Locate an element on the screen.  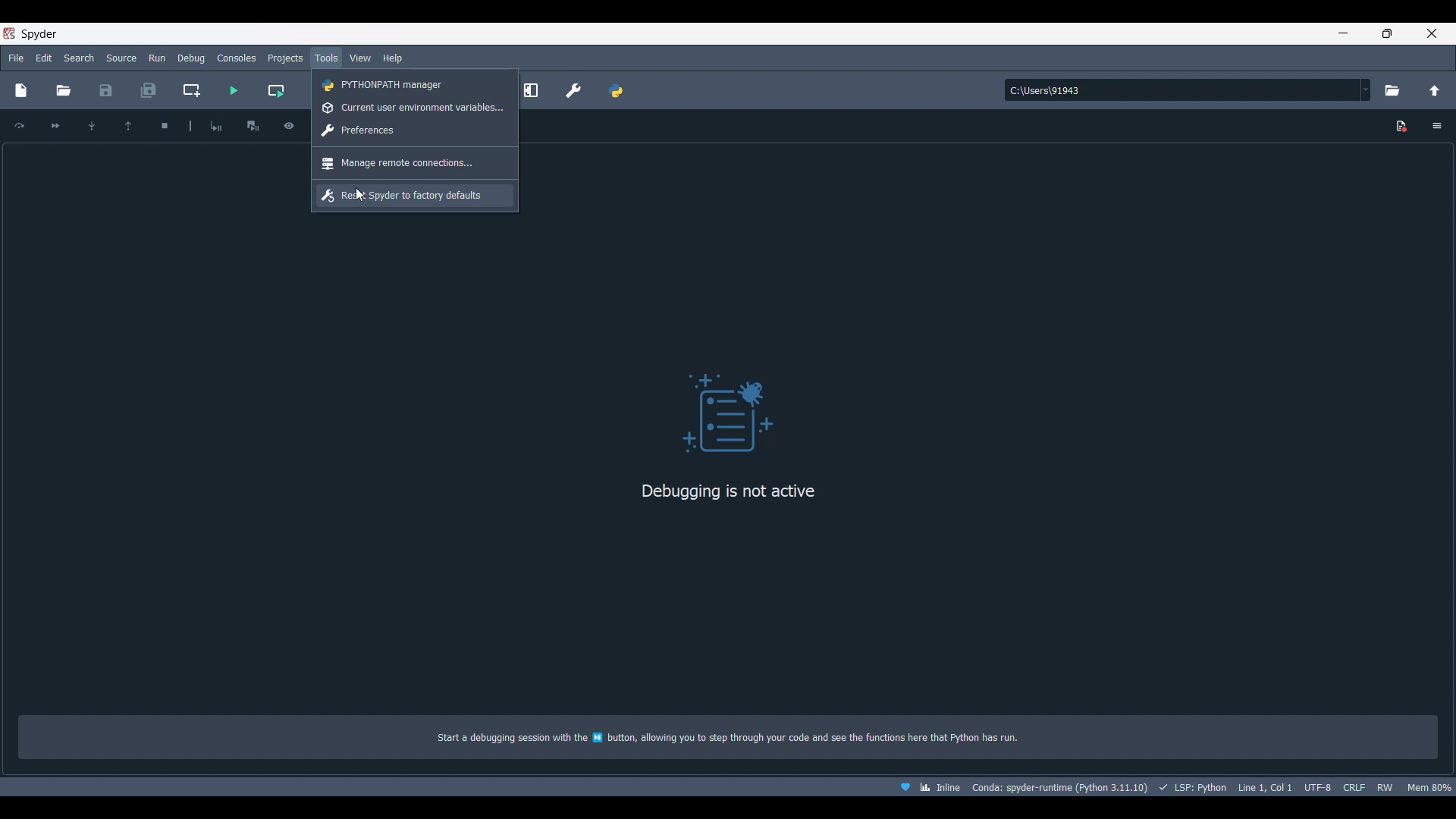
Current user environment variables is located at coordinates (414, 108).